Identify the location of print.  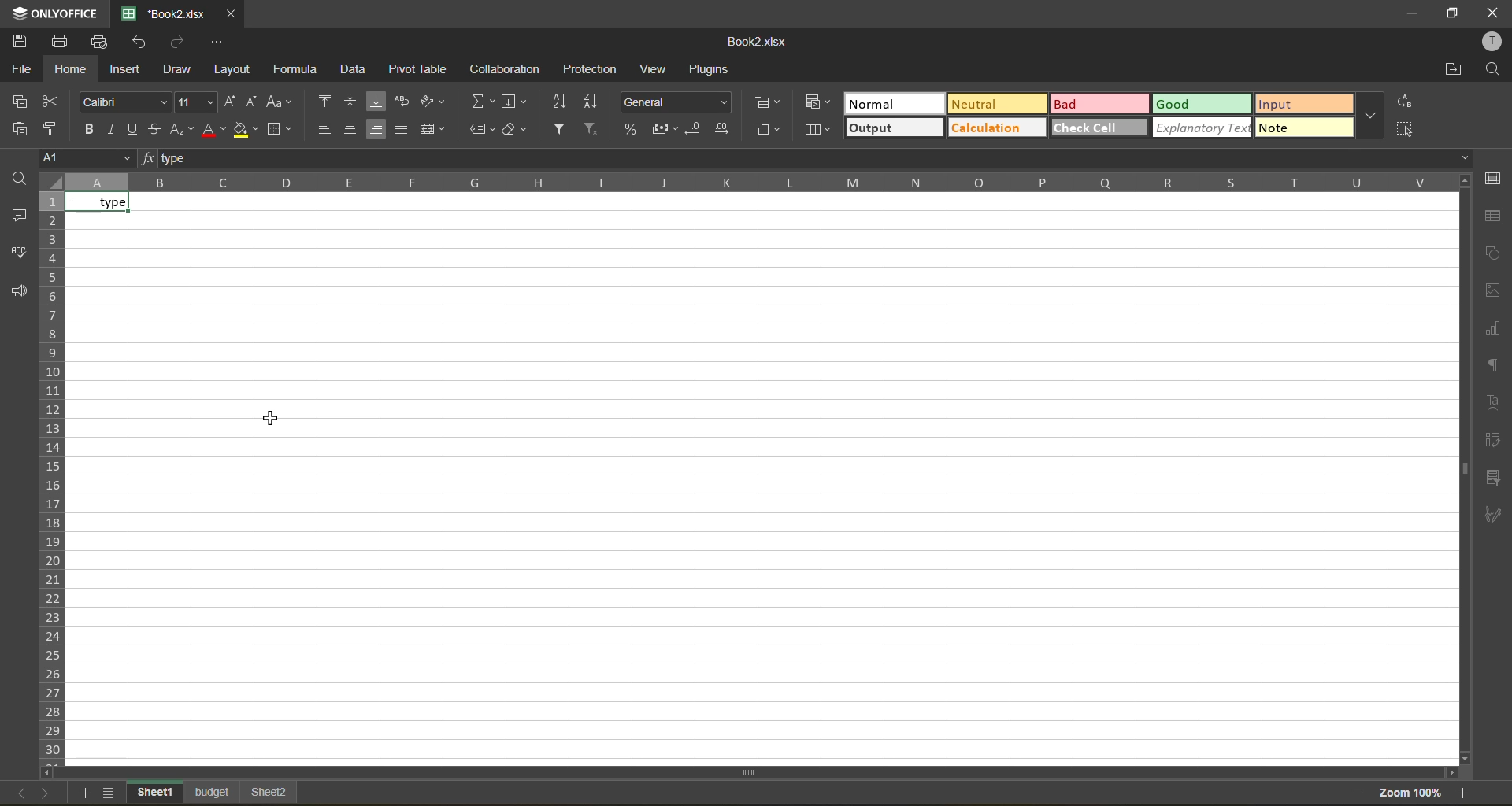
(65, 39).